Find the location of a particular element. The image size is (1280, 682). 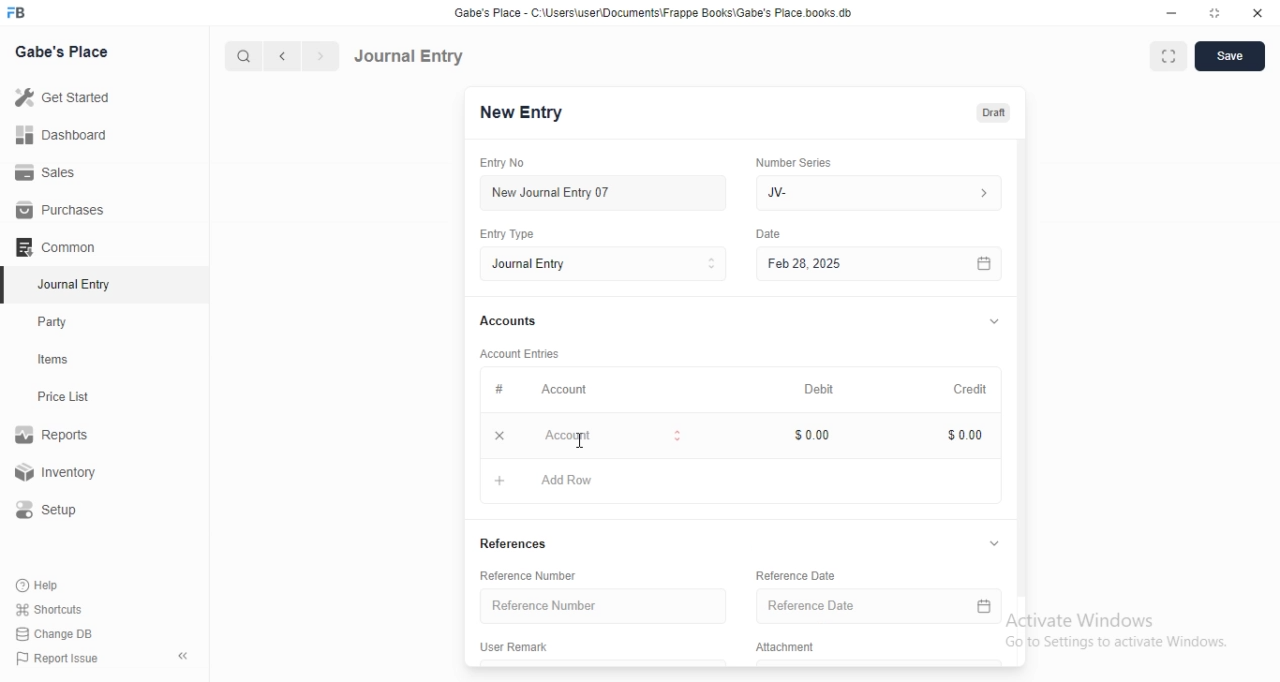

minimize is located at coordinates (1172, 13).